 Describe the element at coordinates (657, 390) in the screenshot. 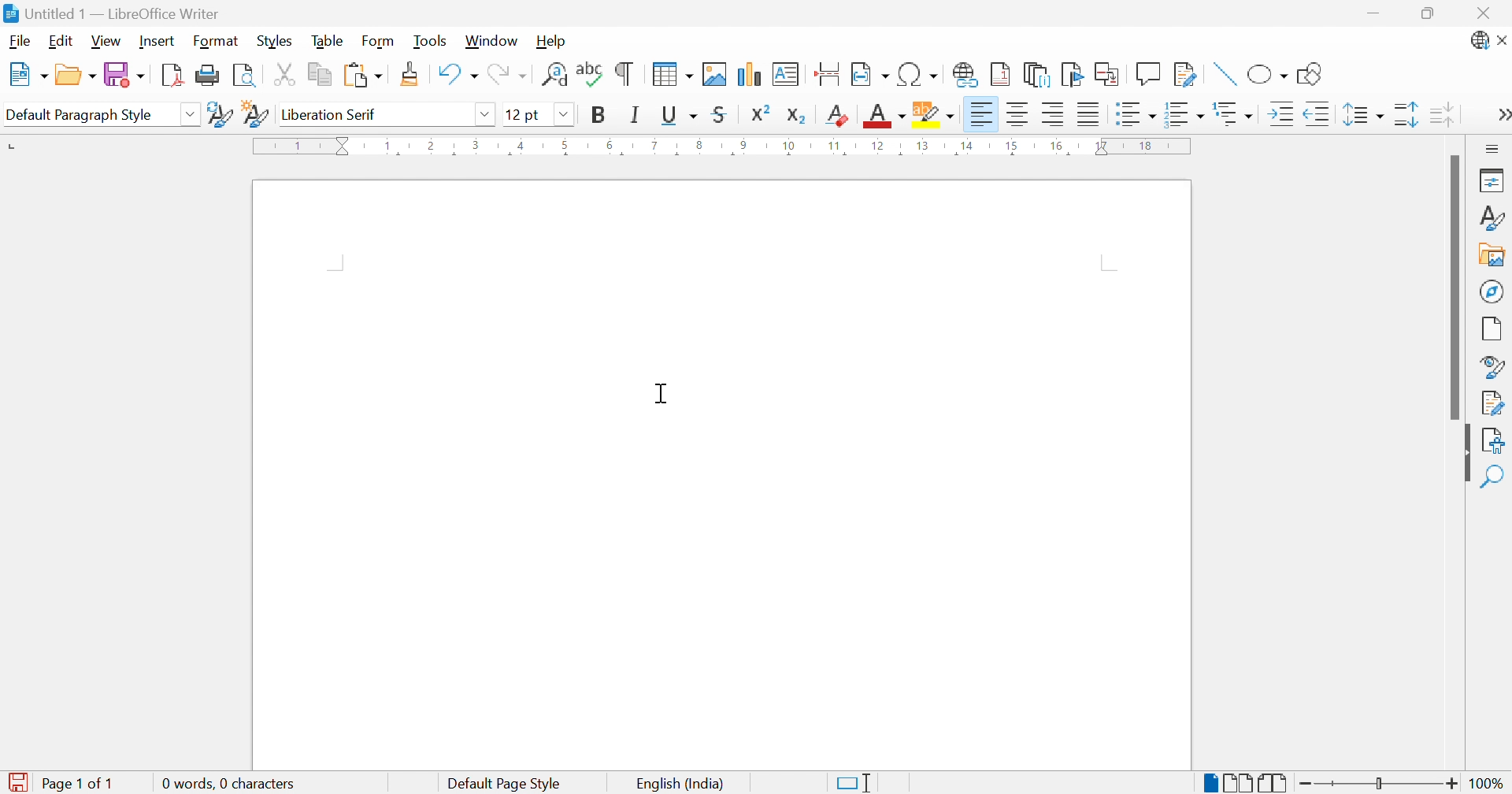

I see `Cursor` at that location.